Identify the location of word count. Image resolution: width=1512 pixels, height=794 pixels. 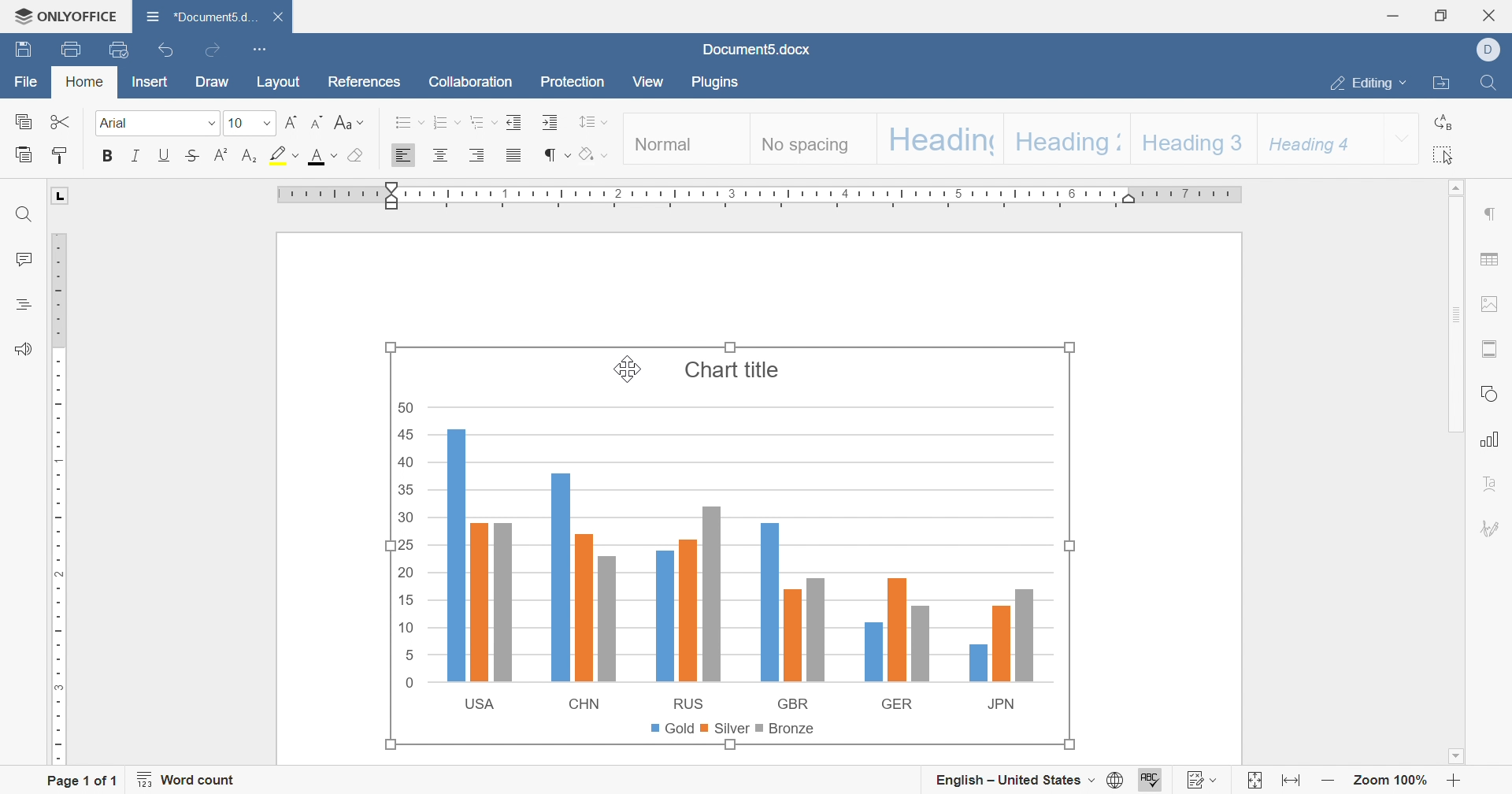
(188, 780).